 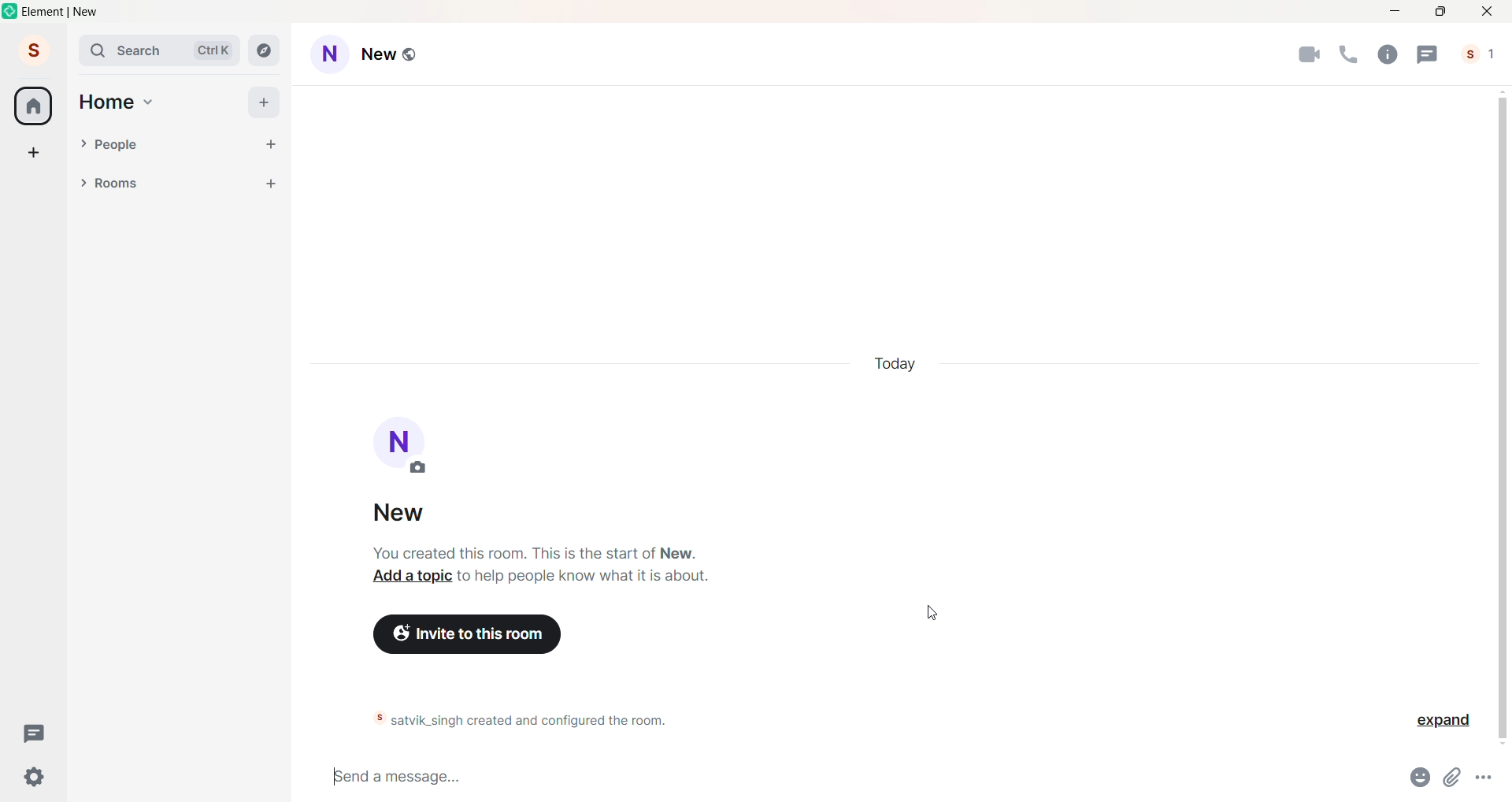 What do you see at coordinates (1422, 774) in the screenshot?
I see `Emojis` at bounding box center [1422, 774].